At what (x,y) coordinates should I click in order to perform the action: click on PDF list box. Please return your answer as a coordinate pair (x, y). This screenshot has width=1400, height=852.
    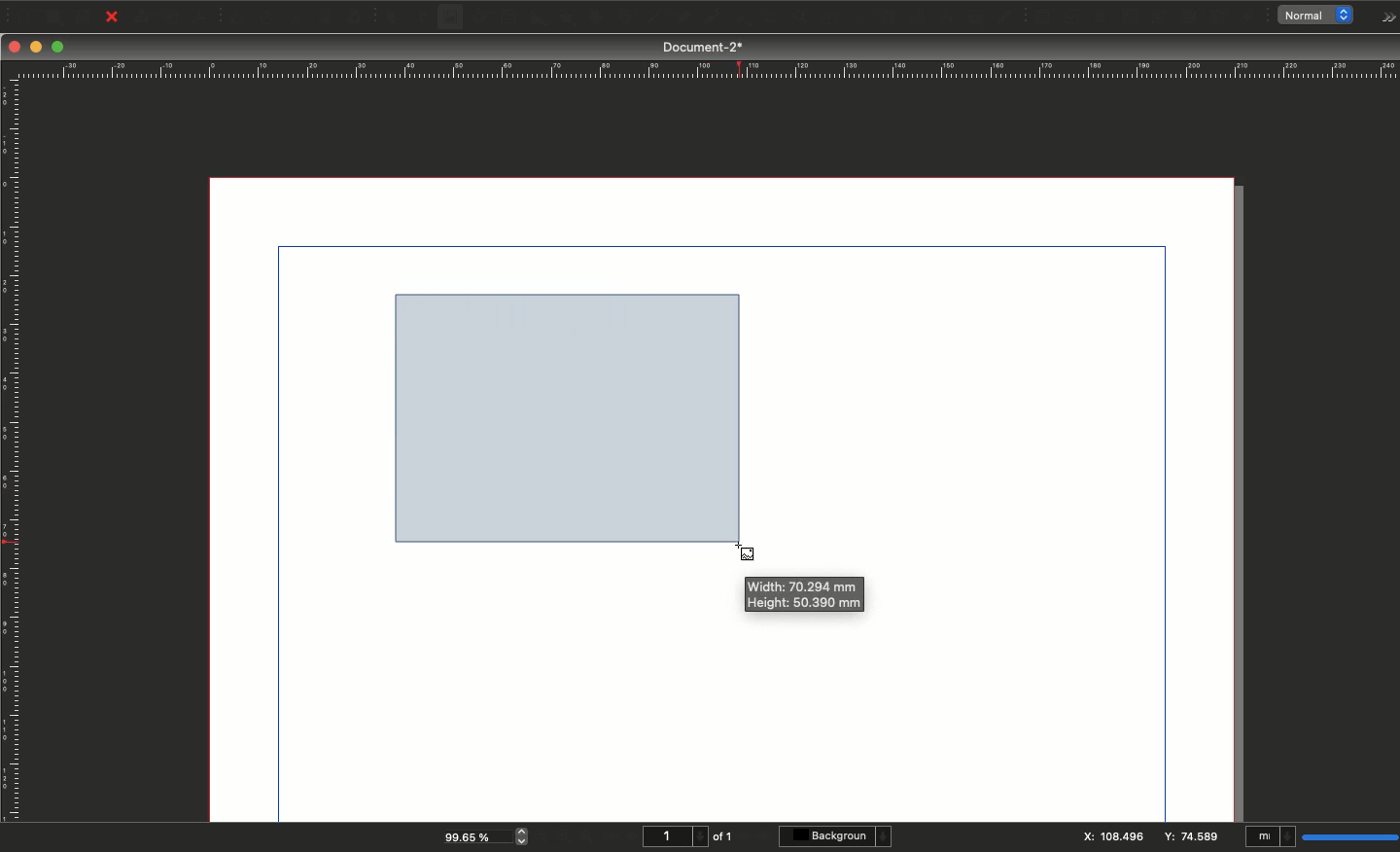
    Looking at the image, I should click on (1189, 18).